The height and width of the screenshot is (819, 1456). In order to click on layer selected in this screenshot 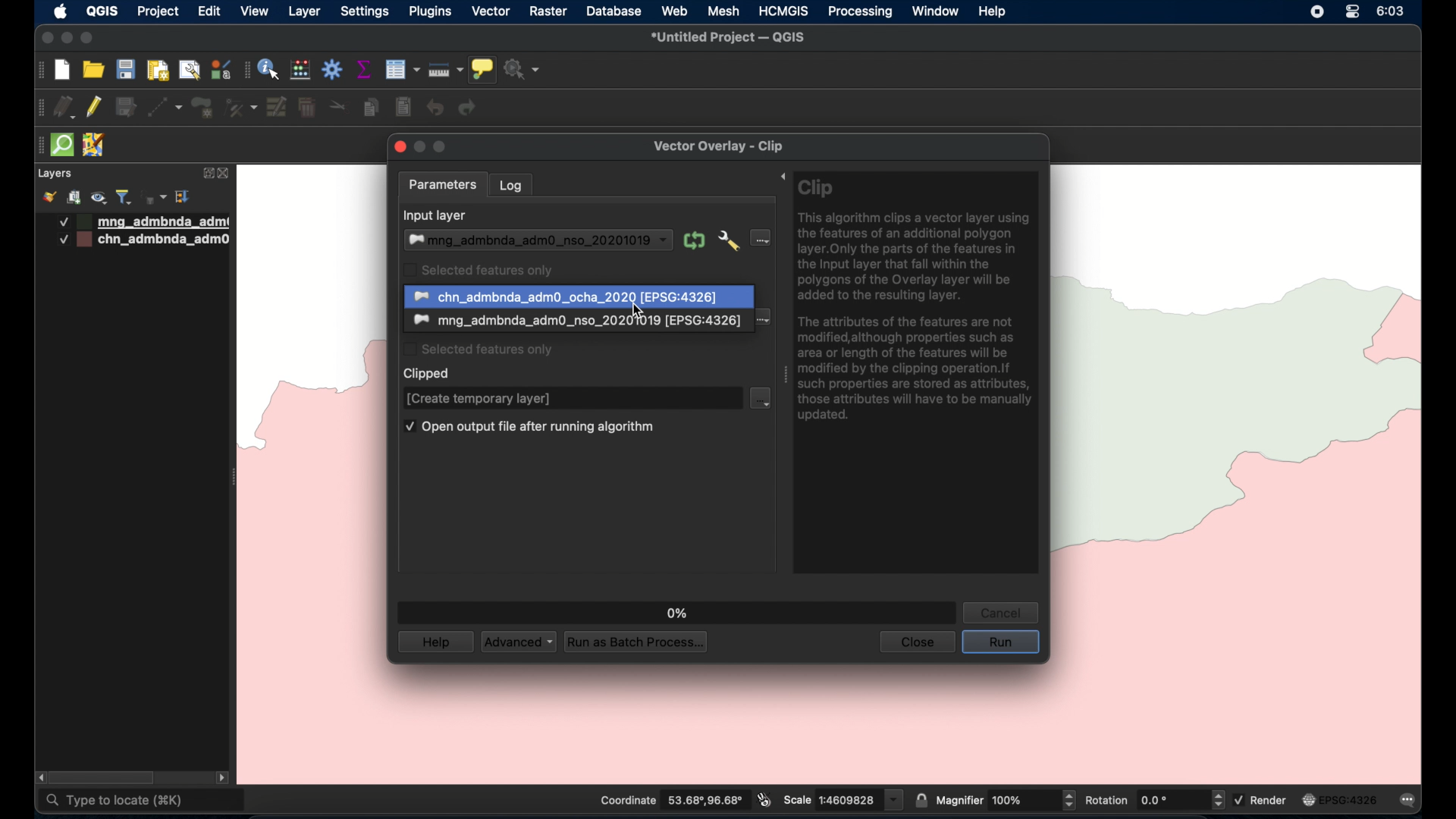, I will do `click(580, 297)`.